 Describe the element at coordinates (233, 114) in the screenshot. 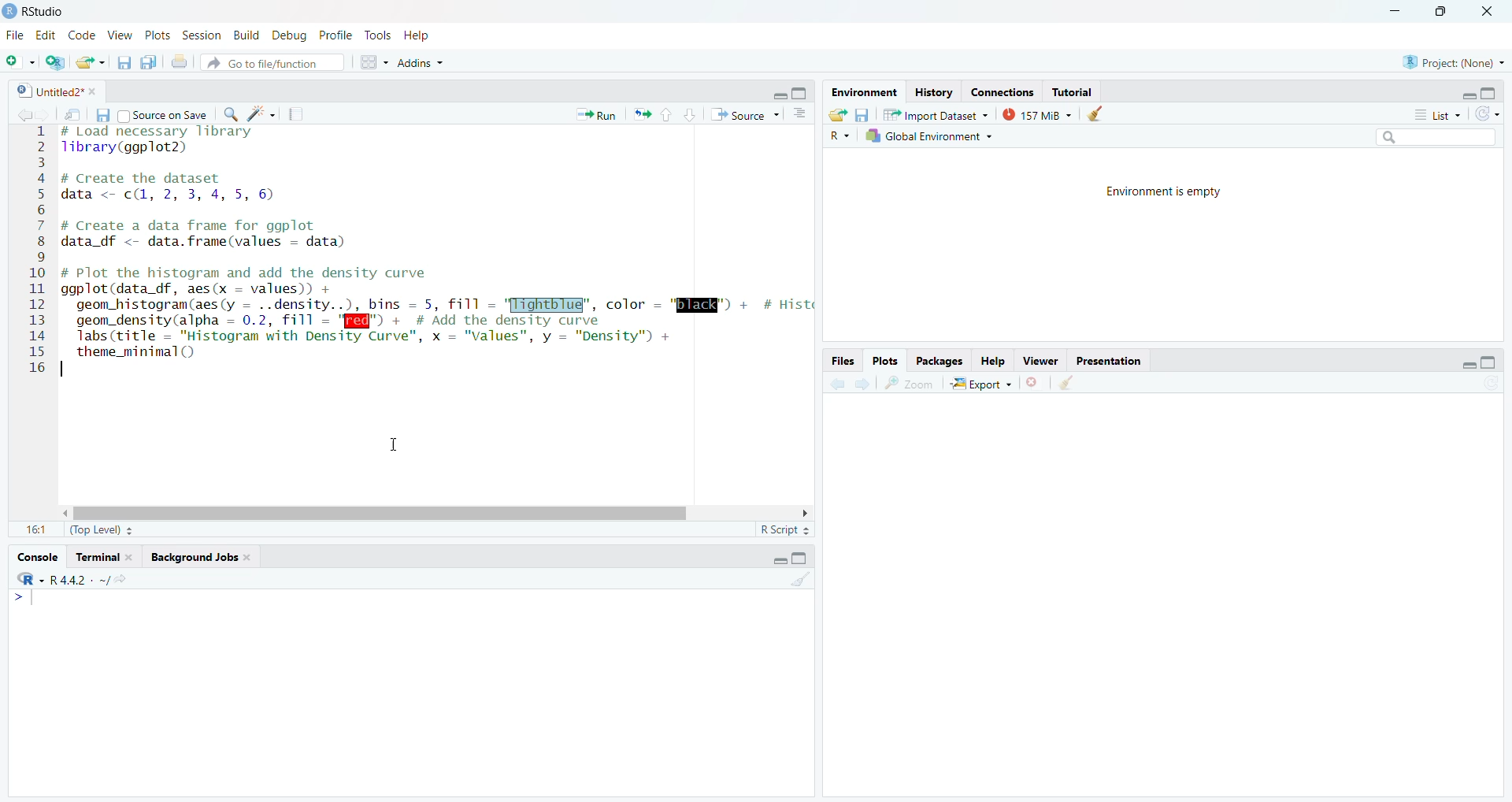

I see `find/replace` at that location.